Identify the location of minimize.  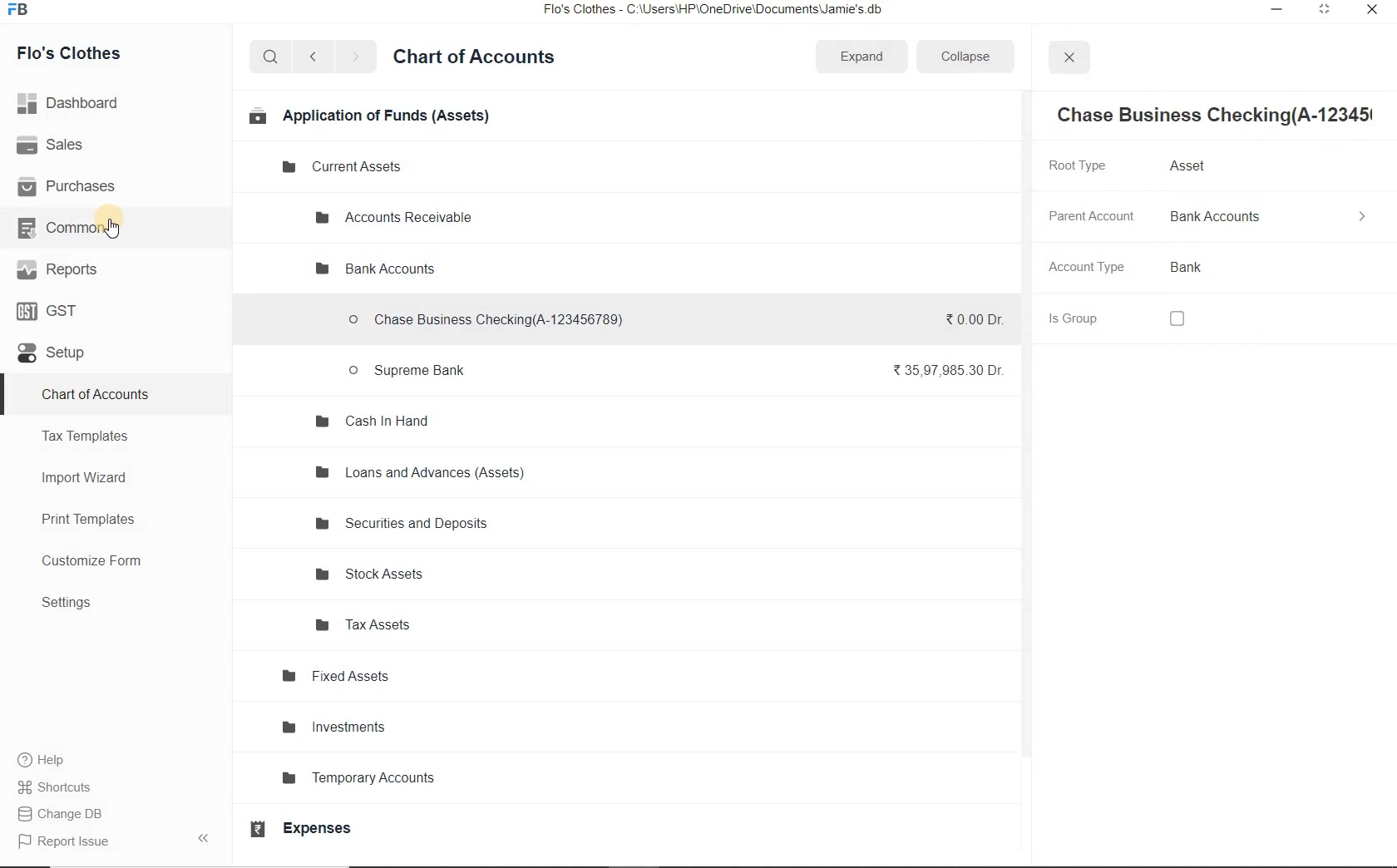
(1275, 8).